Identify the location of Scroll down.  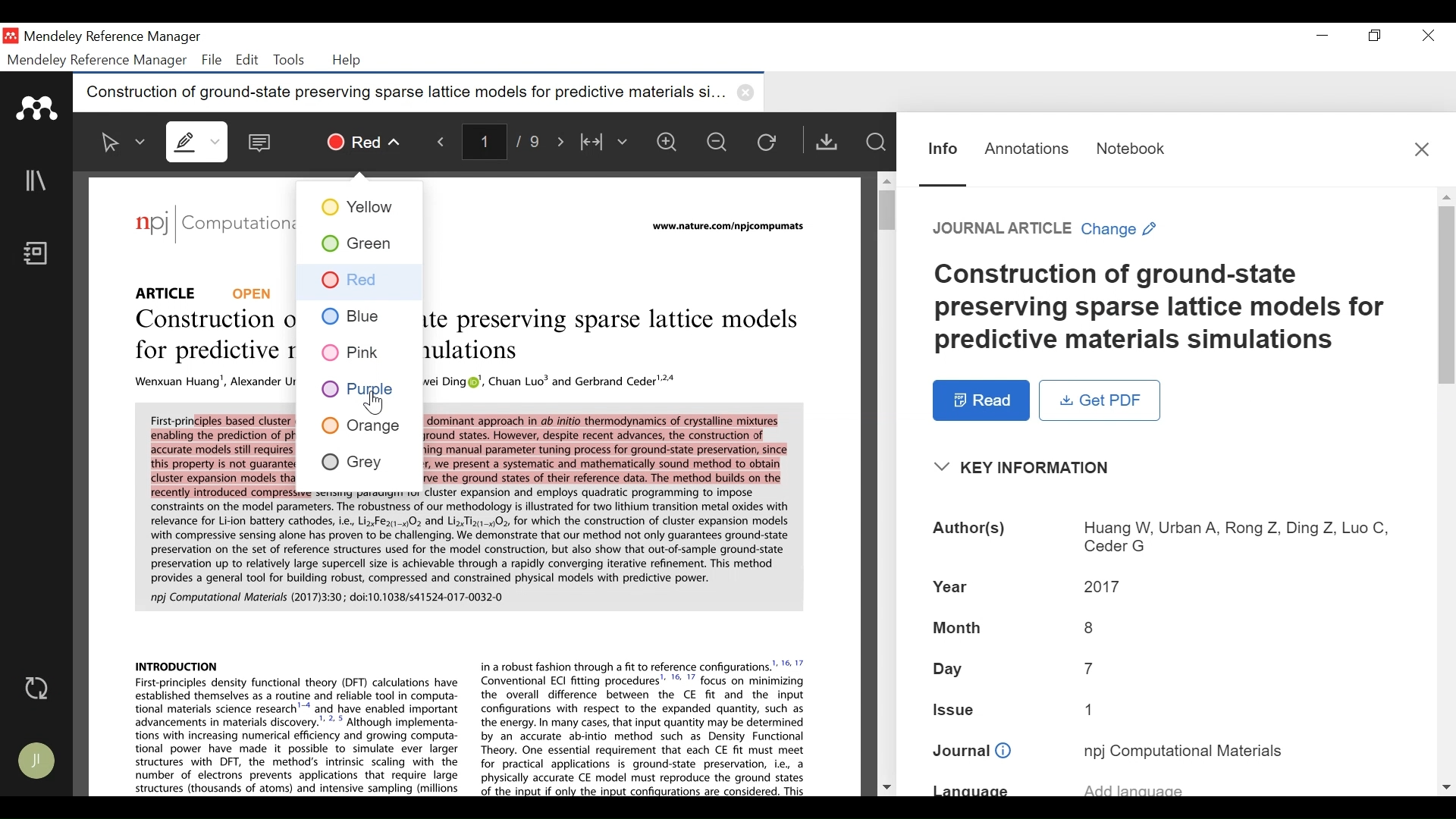
(886, 788).